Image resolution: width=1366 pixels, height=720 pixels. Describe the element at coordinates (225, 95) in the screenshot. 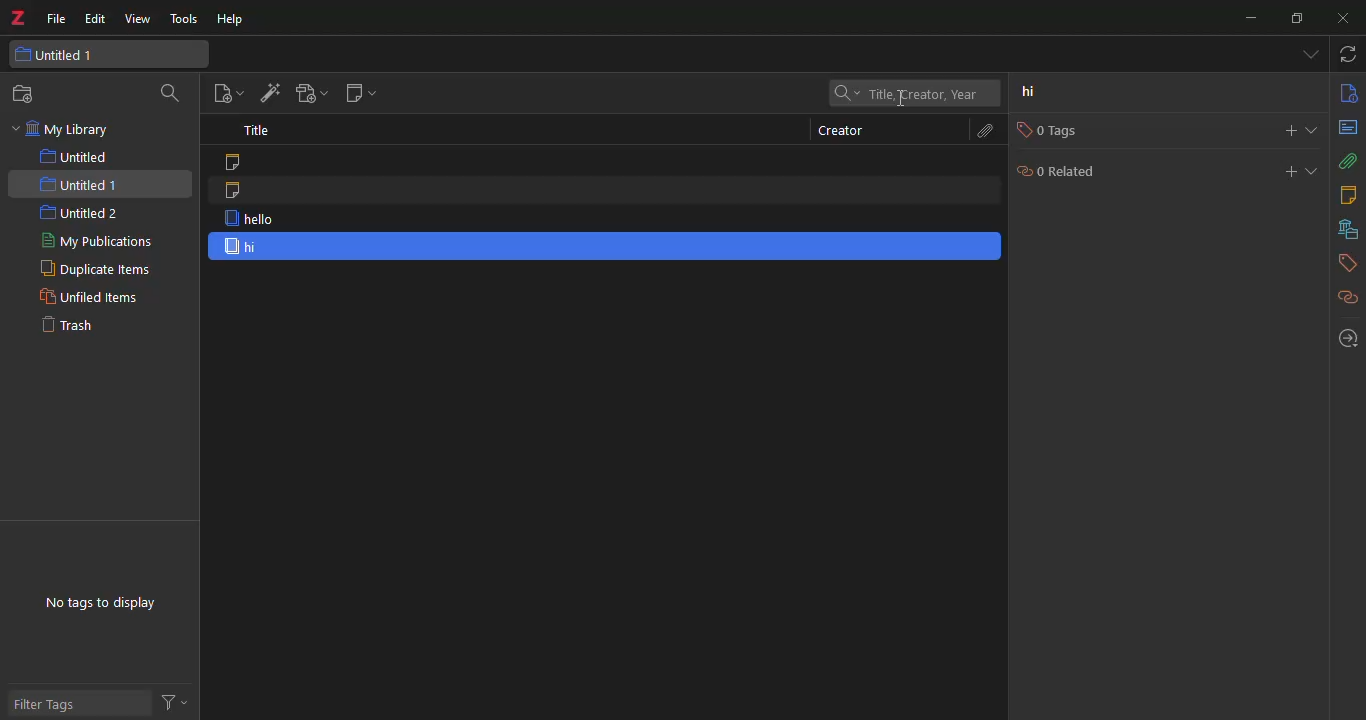

I see `new item` at that location.